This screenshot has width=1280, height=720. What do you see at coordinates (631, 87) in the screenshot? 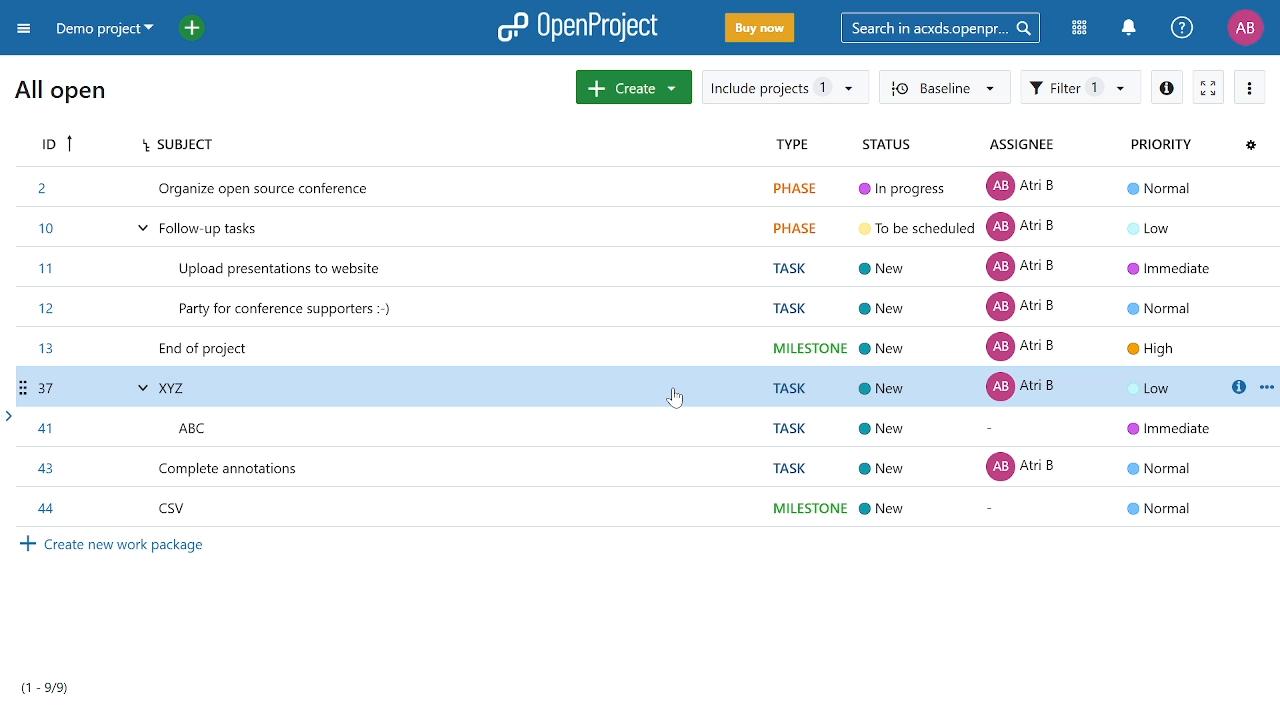
I see `Create` at bounding box center [631, 87].